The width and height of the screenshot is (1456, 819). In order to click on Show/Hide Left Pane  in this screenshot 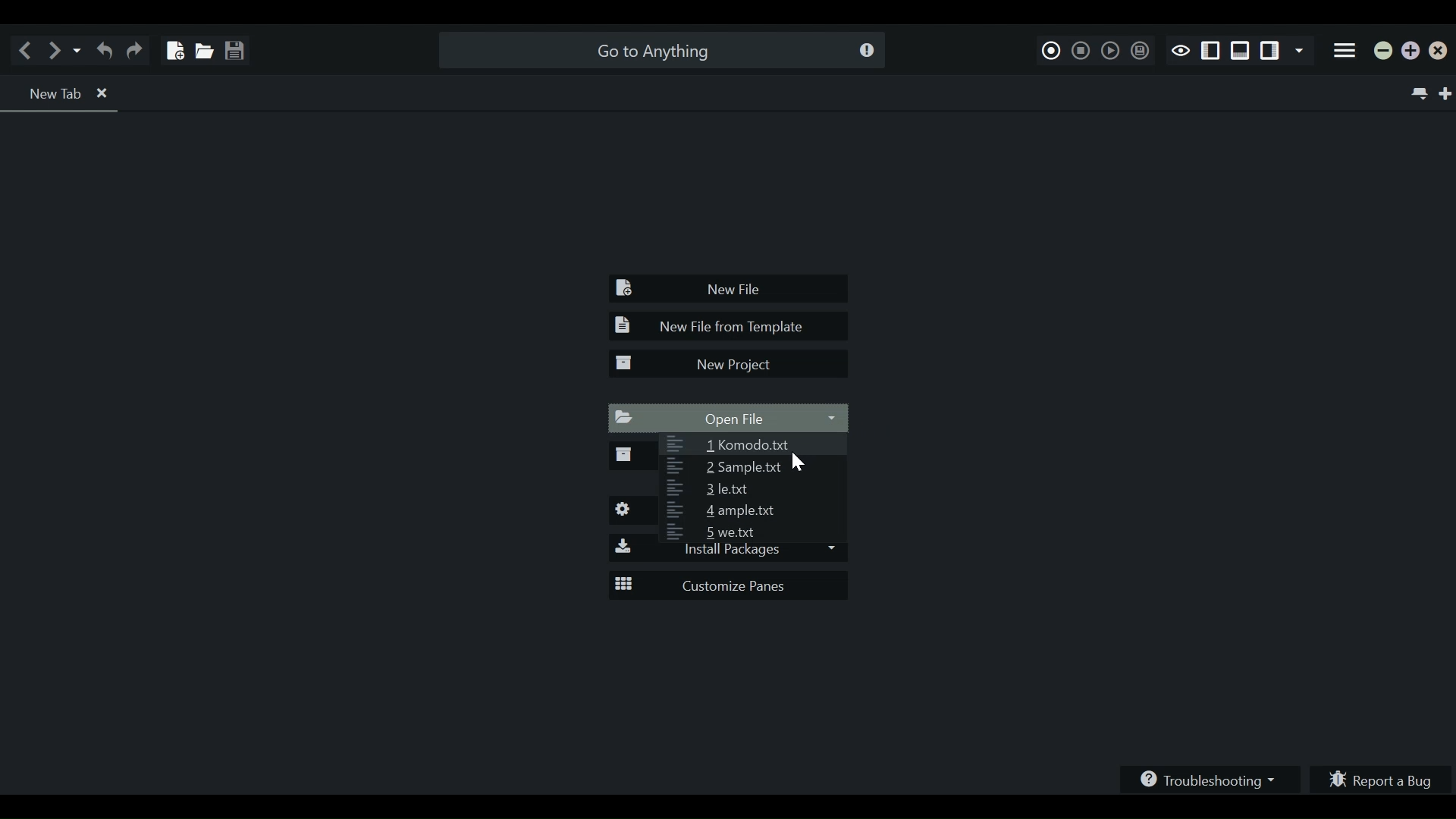, I will do `click(1272, 52)`.